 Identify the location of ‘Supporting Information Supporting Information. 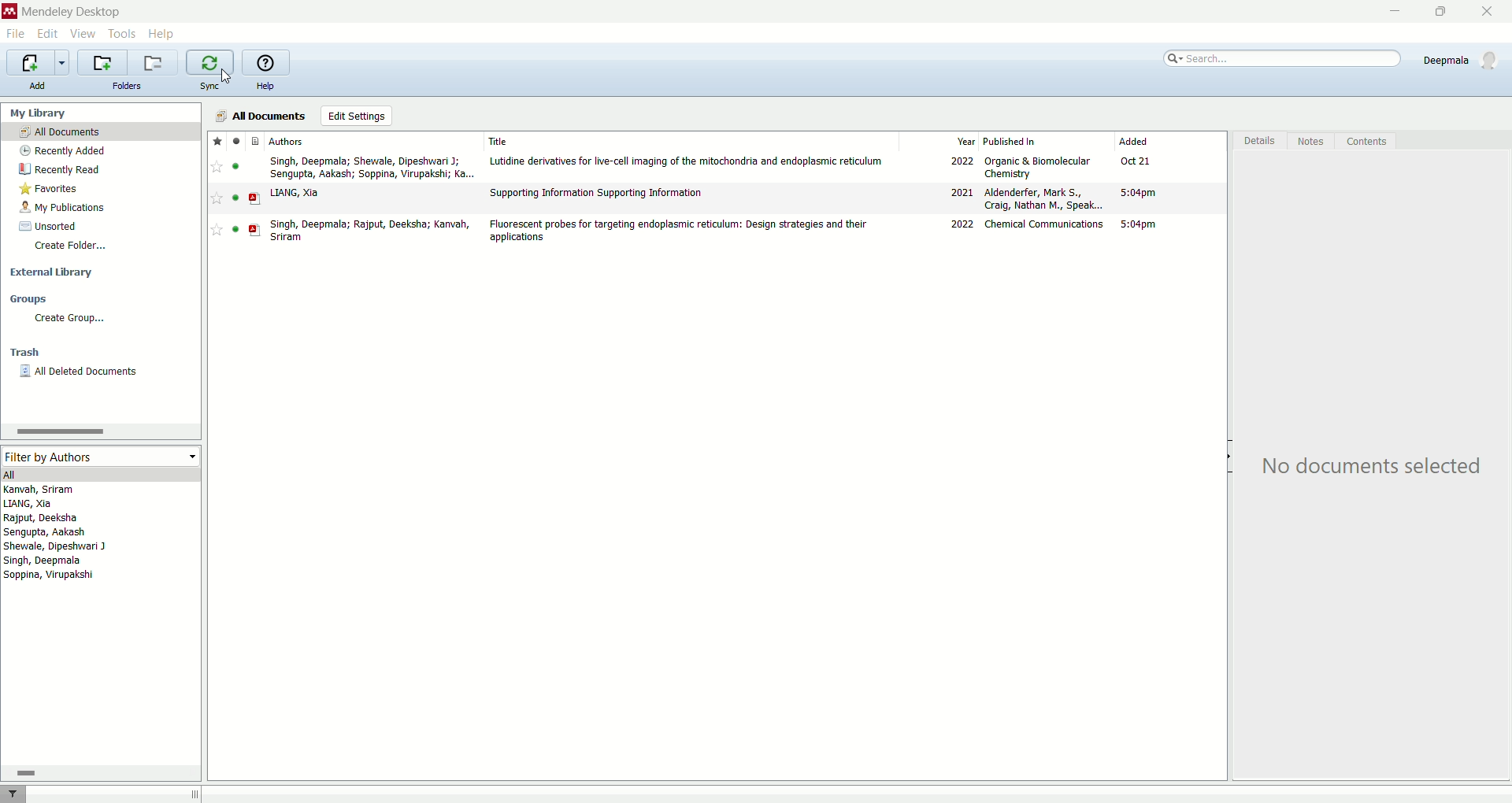
(618, 194).